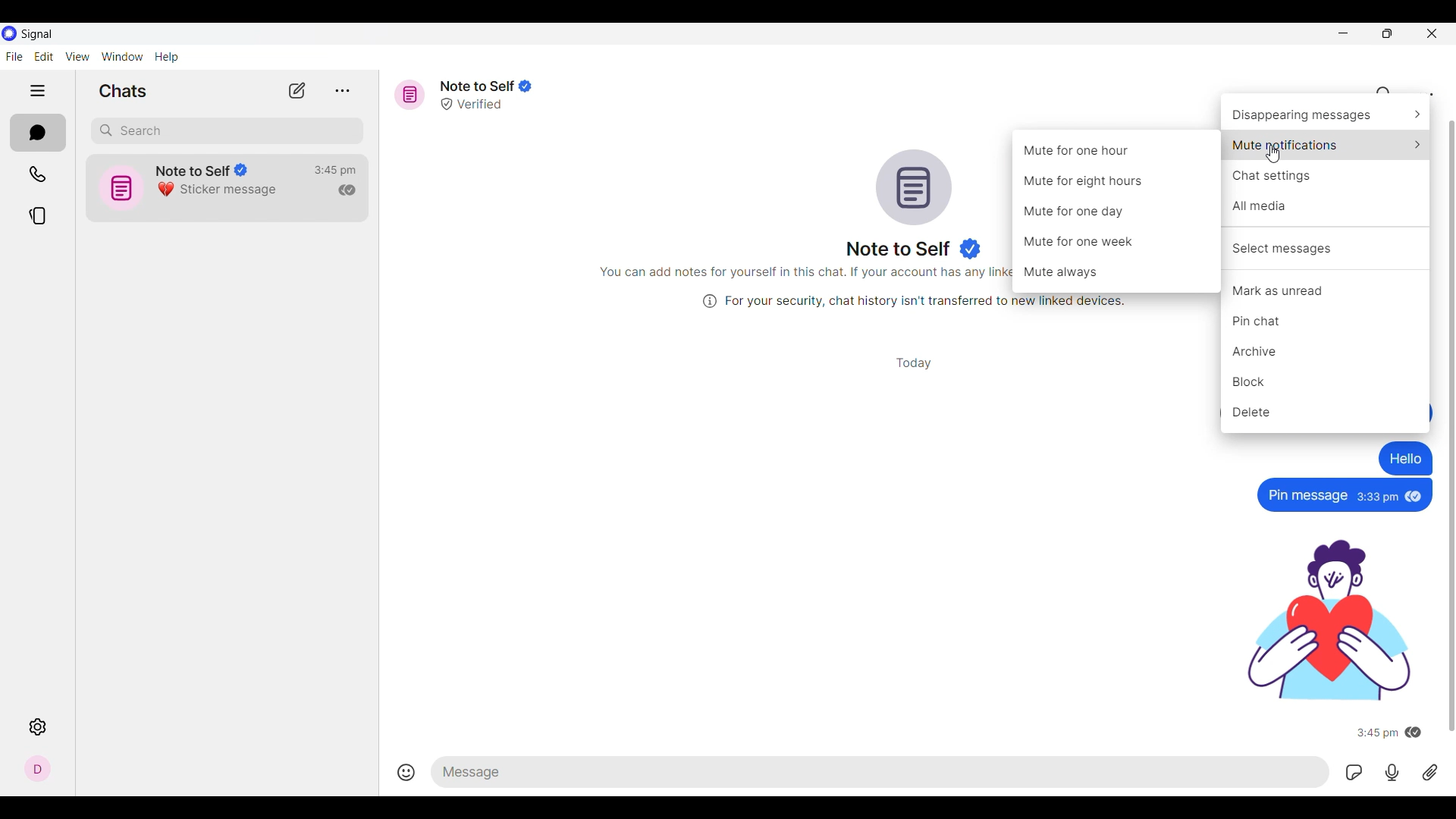 The width and height of the screenshot is (1456, 819). What do you see at coordinates (1325, 412) in the screenshot?
I see `Delete` at bounding box center [1325, 412].